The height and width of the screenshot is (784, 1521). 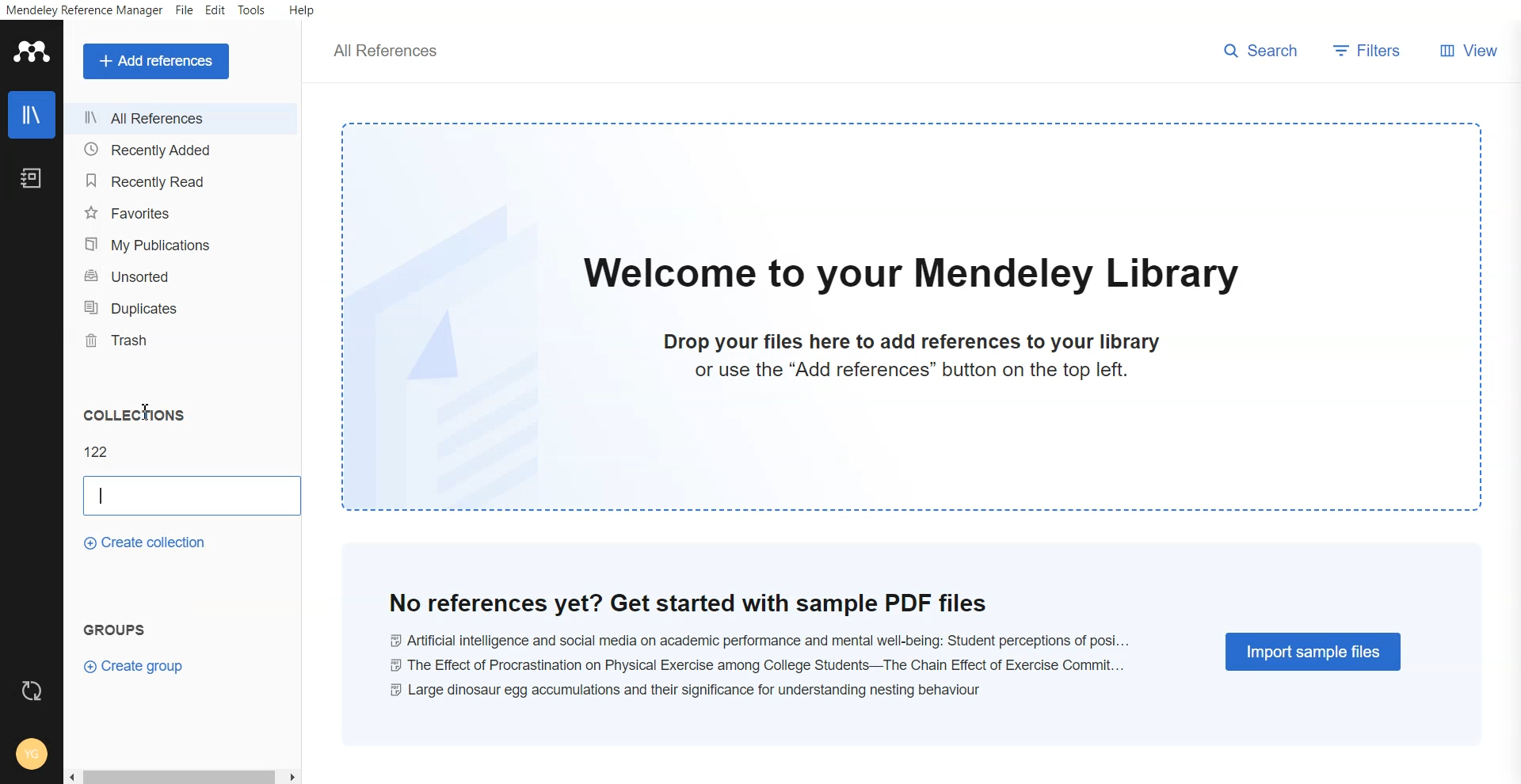 What do you see at coordinates (30, 177) in the screenshot?
I see `Notebook` at bounding box center [30, 177].